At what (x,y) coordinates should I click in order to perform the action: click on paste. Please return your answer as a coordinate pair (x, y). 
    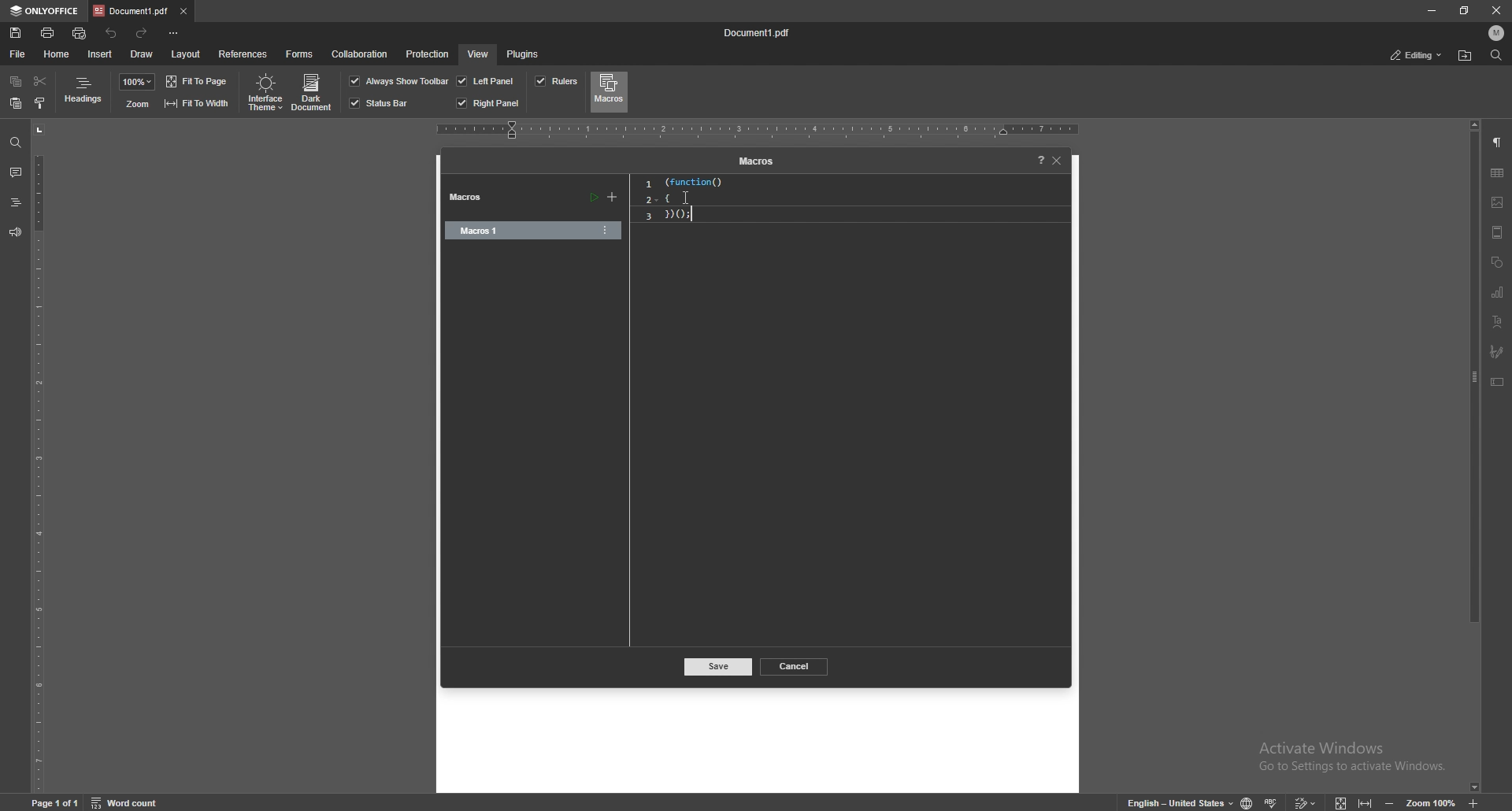
    Looking at the image, I should click on (16, 104).